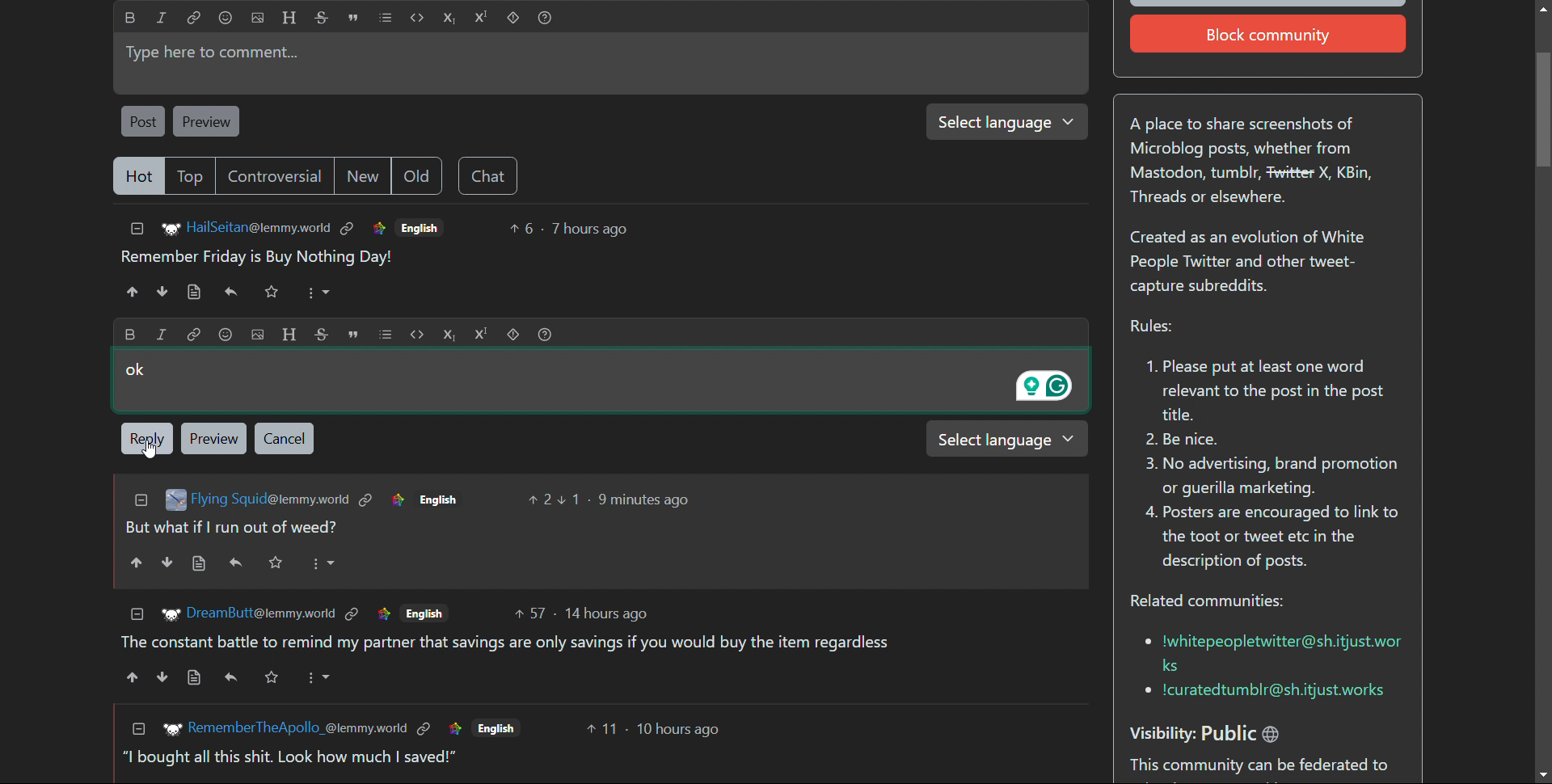 The height and width of the screenshot is (784, 1552). I want to click on time of posting, so click(688, 732).